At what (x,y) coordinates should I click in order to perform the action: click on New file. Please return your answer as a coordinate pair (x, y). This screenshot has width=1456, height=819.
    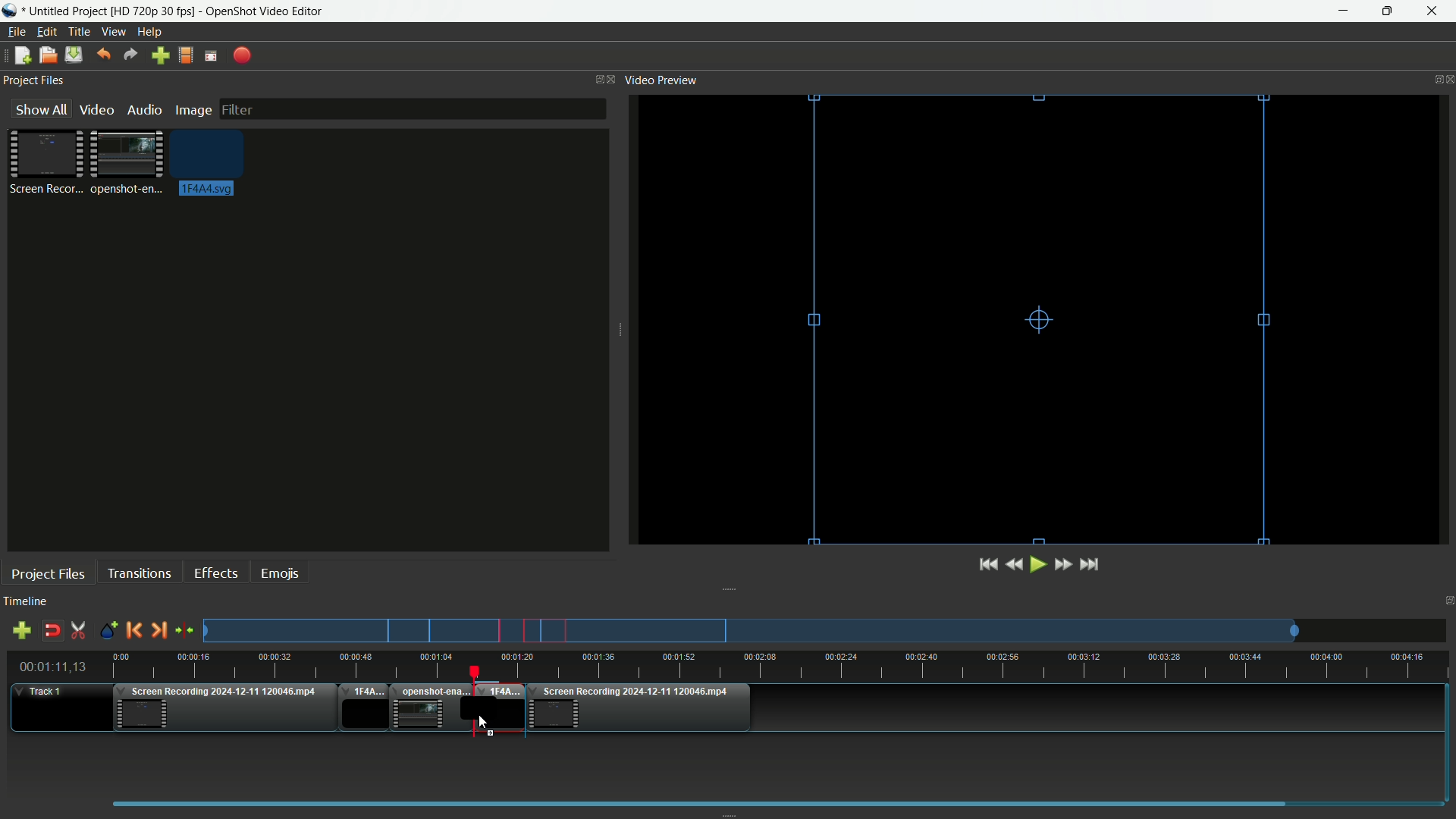
    Looking at the image, I should click on (19, 57).